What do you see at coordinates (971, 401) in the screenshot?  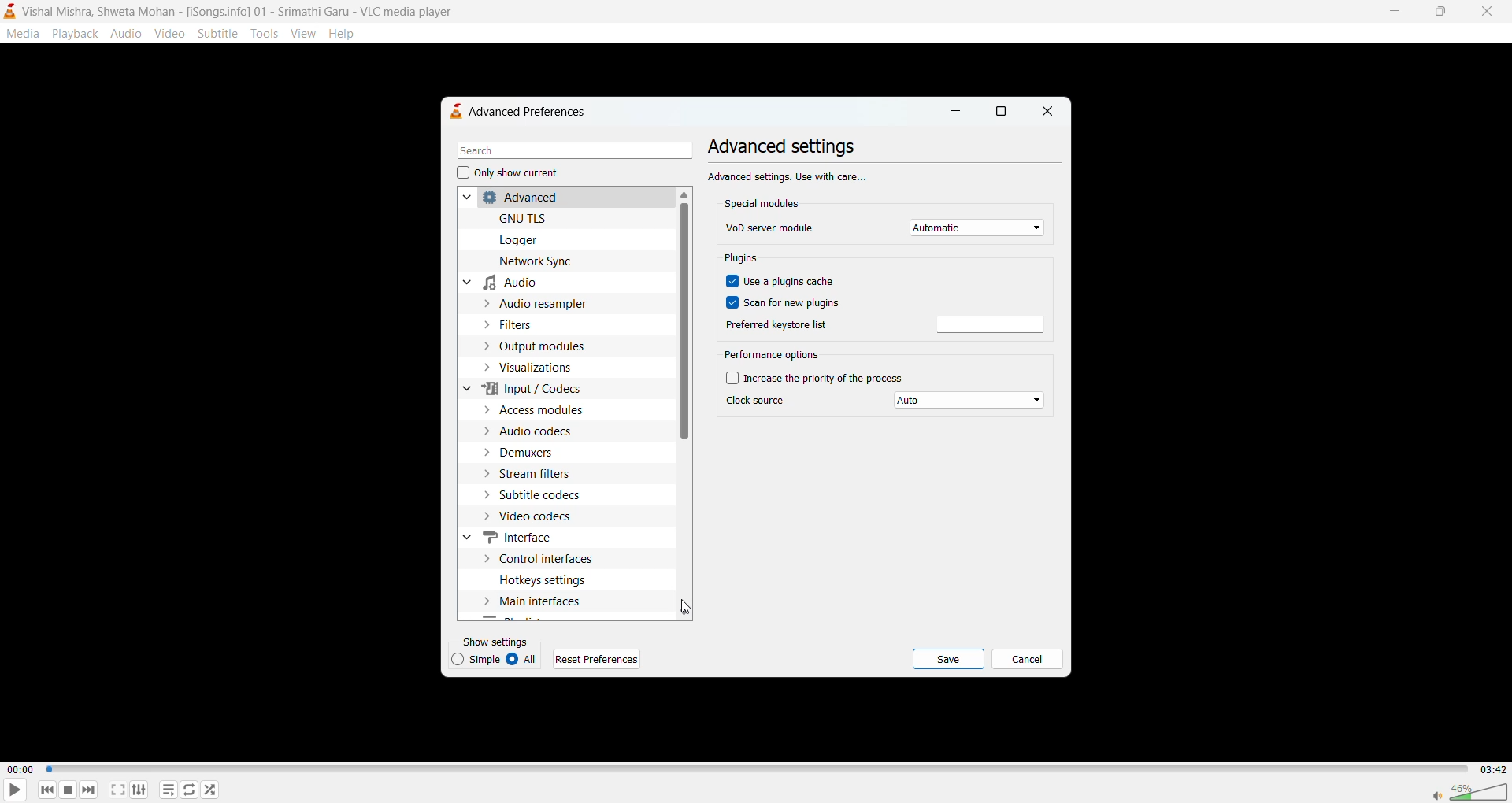 I see `clock source dropdown` at bounding box center [971, 401].